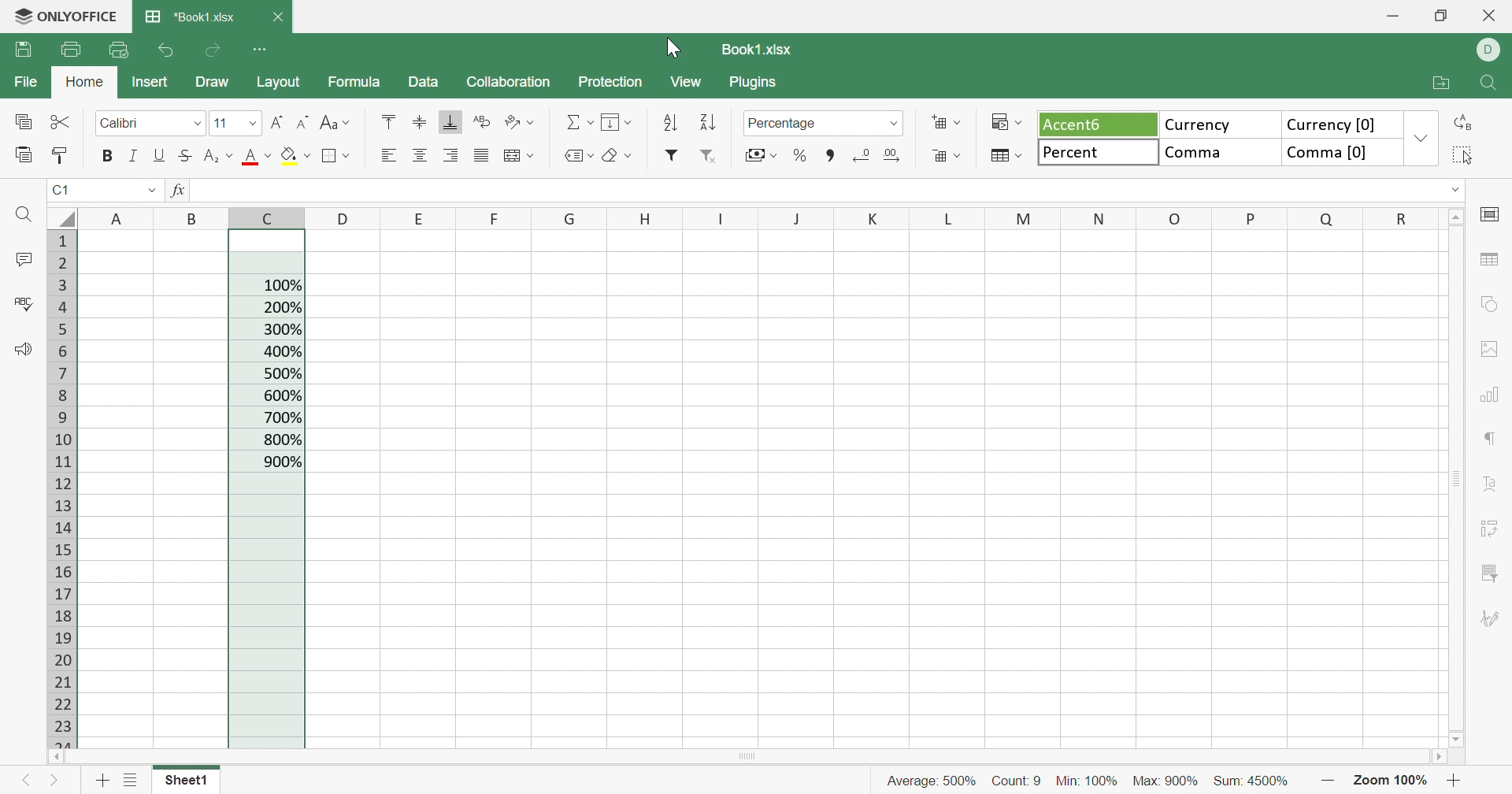  I want to click on Copy, so click(22, 122).